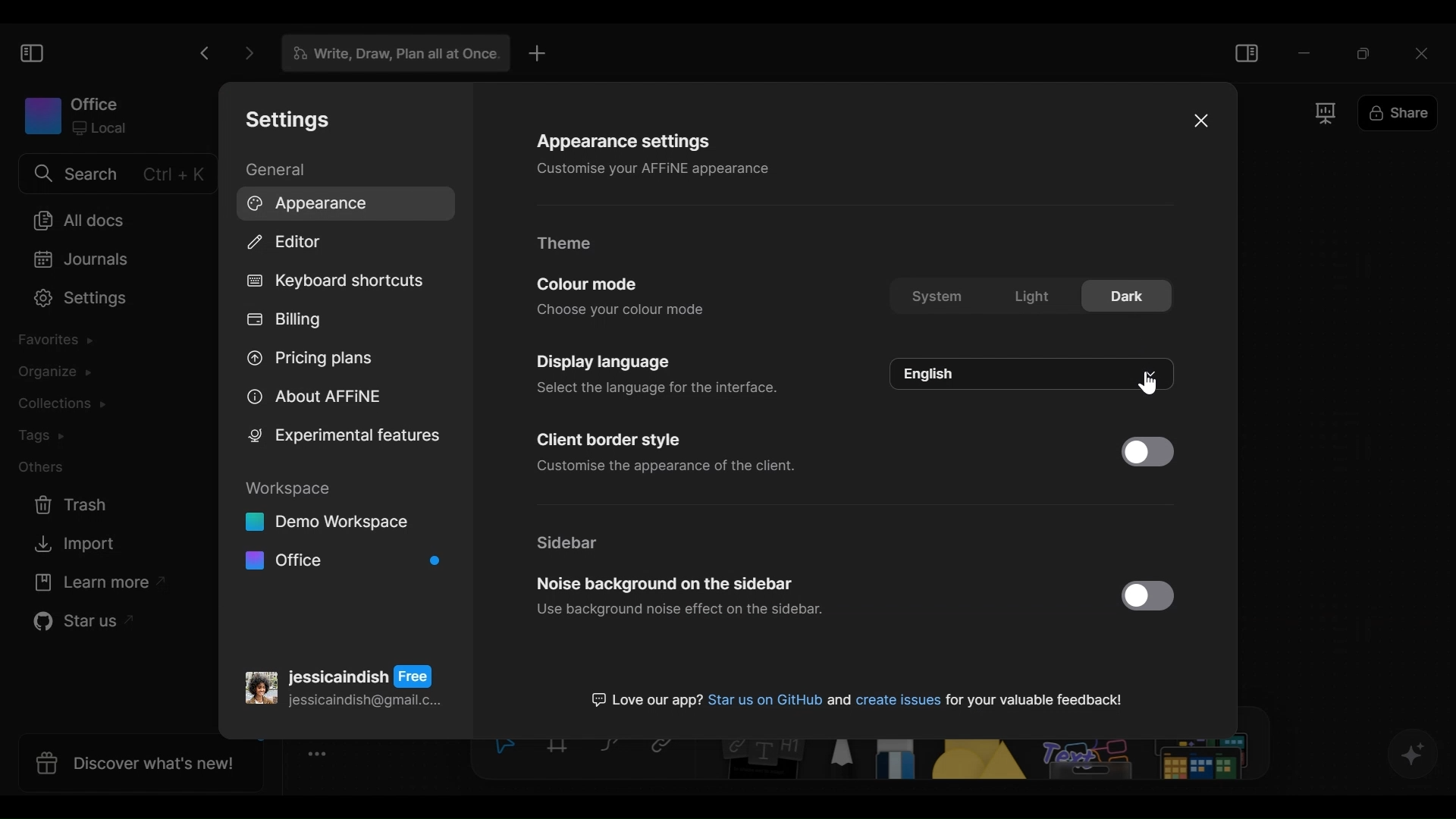  I want to click on Close, so click(1425, 51).